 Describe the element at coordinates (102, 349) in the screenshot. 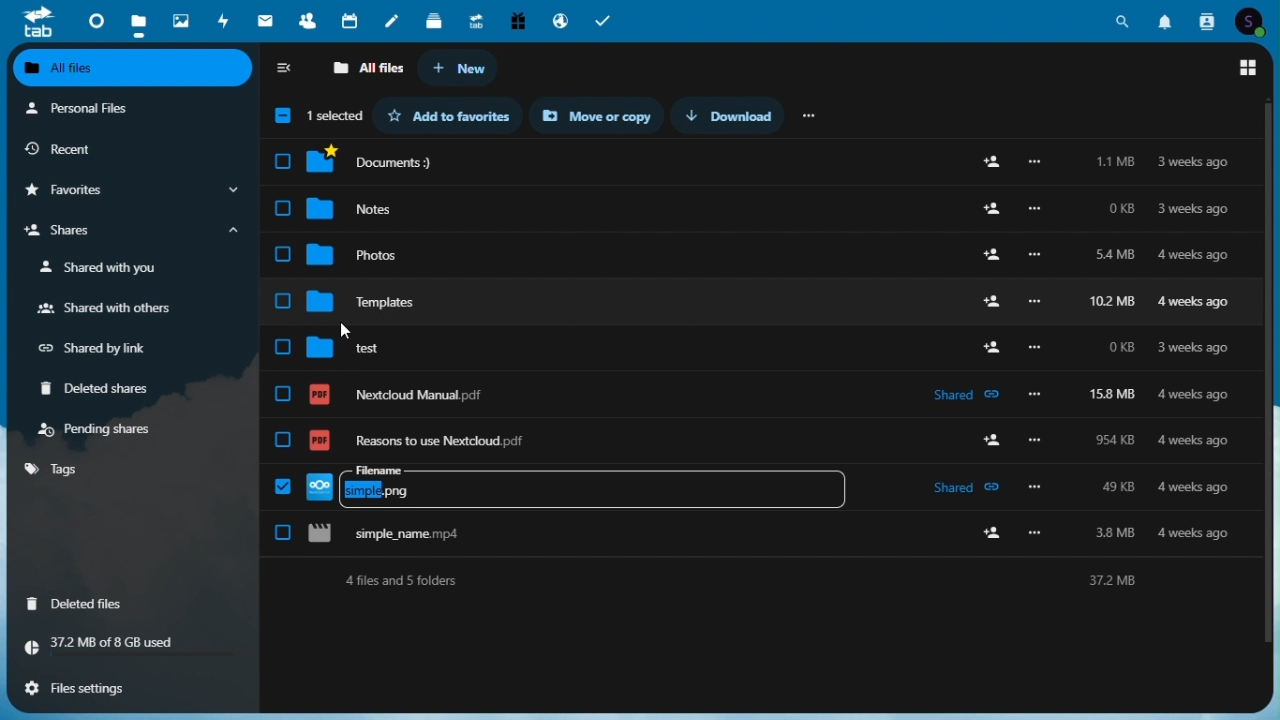

I see `shared by link` at that location.